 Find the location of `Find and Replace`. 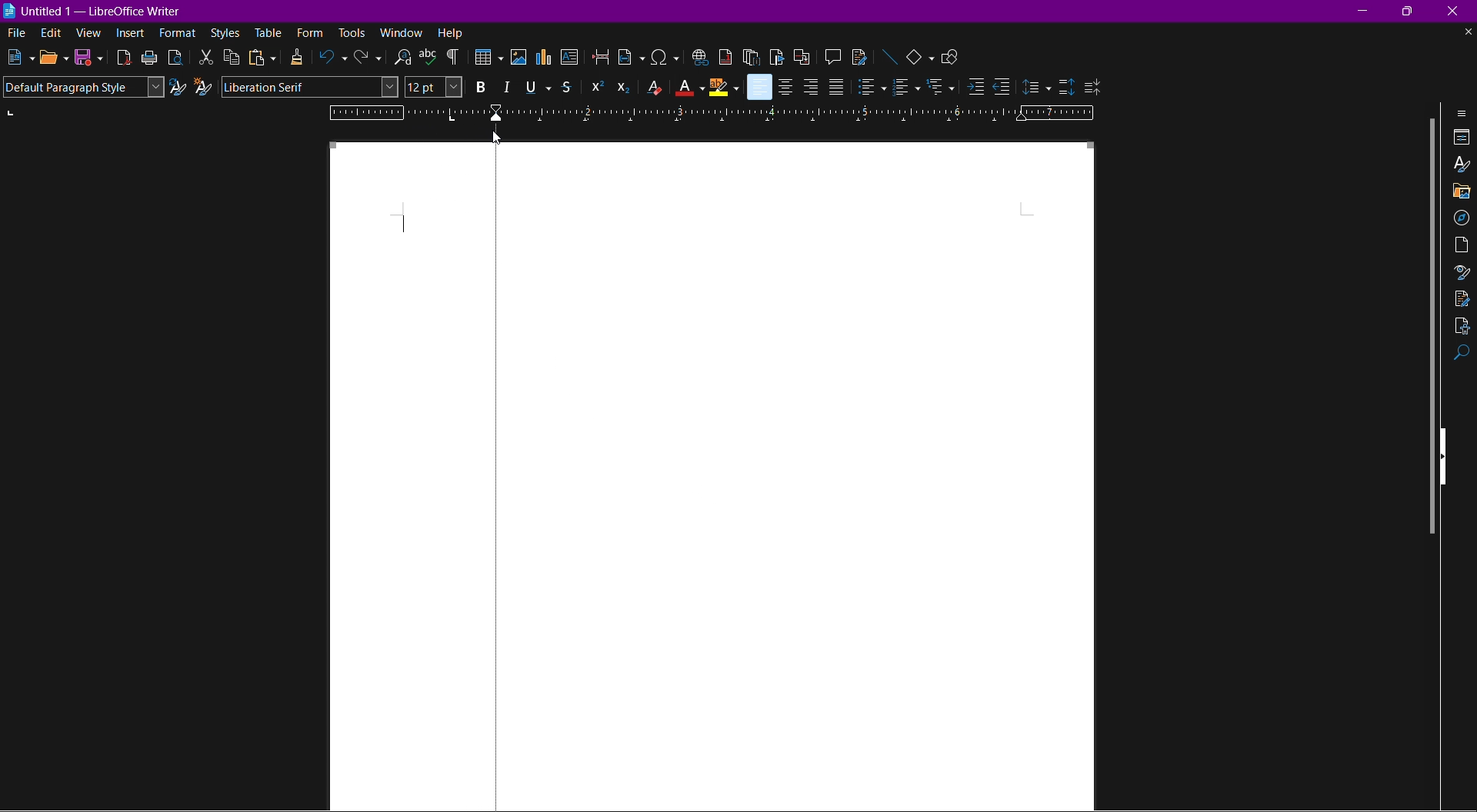

Find and Replace is located at coordinates (400, 57).